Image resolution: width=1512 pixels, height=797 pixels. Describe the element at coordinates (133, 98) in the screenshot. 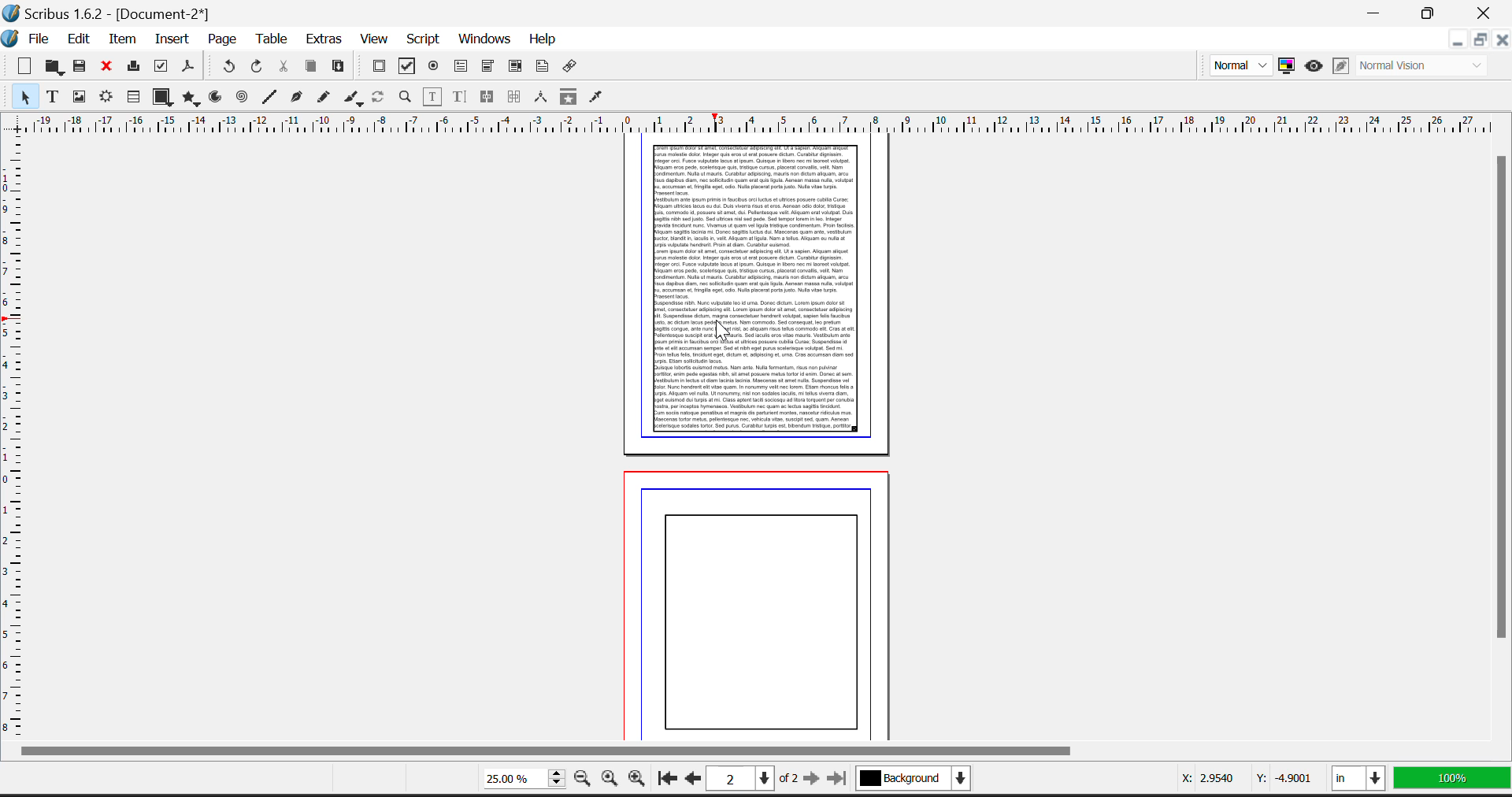

I see `Tables` at that location.